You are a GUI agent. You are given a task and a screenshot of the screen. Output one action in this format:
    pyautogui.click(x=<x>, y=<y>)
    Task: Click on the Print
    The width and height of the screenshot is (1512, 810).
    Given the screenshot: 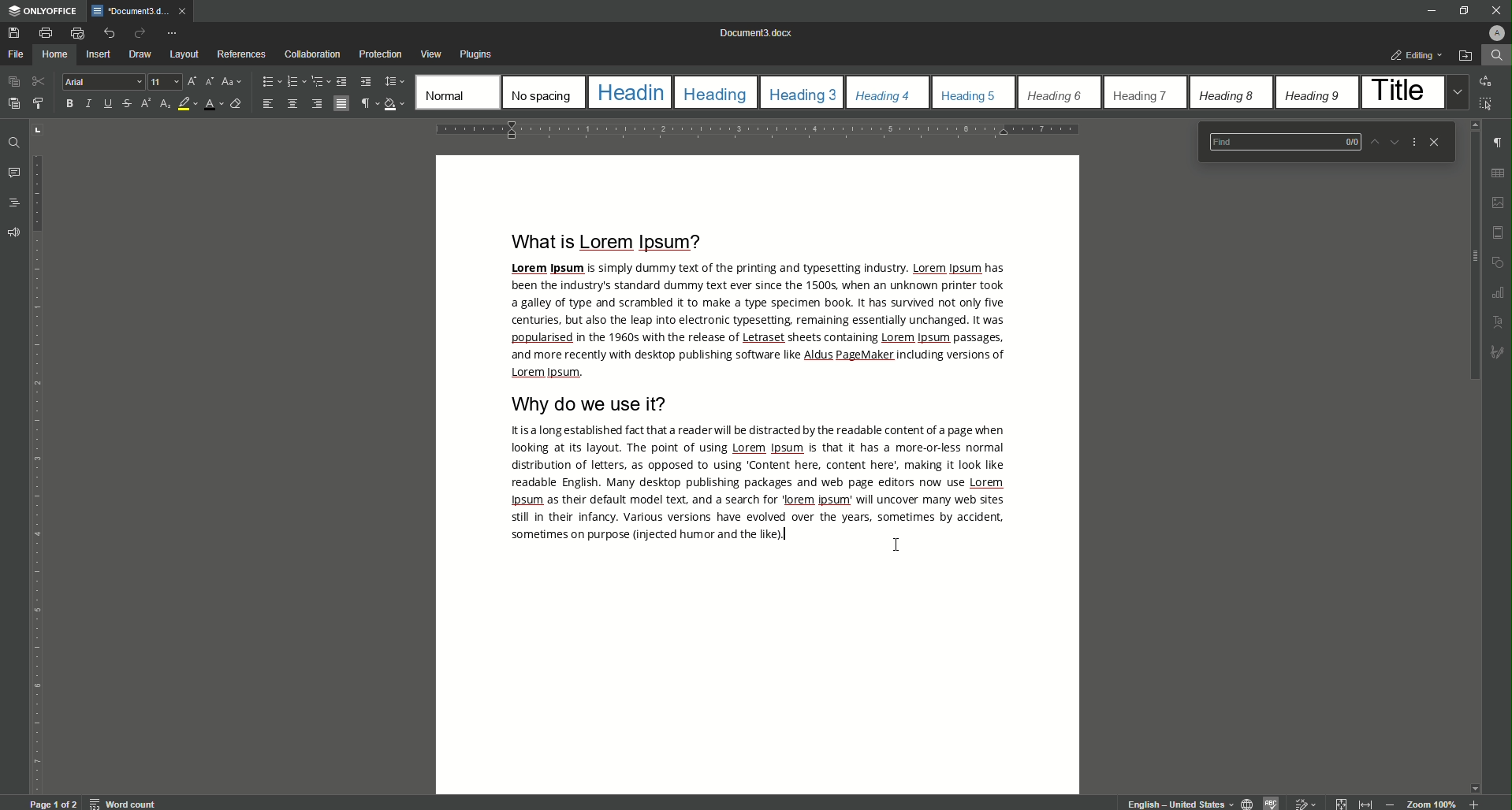 What is the action you would take?
    pyautogui.click(x=47, y=33)
    